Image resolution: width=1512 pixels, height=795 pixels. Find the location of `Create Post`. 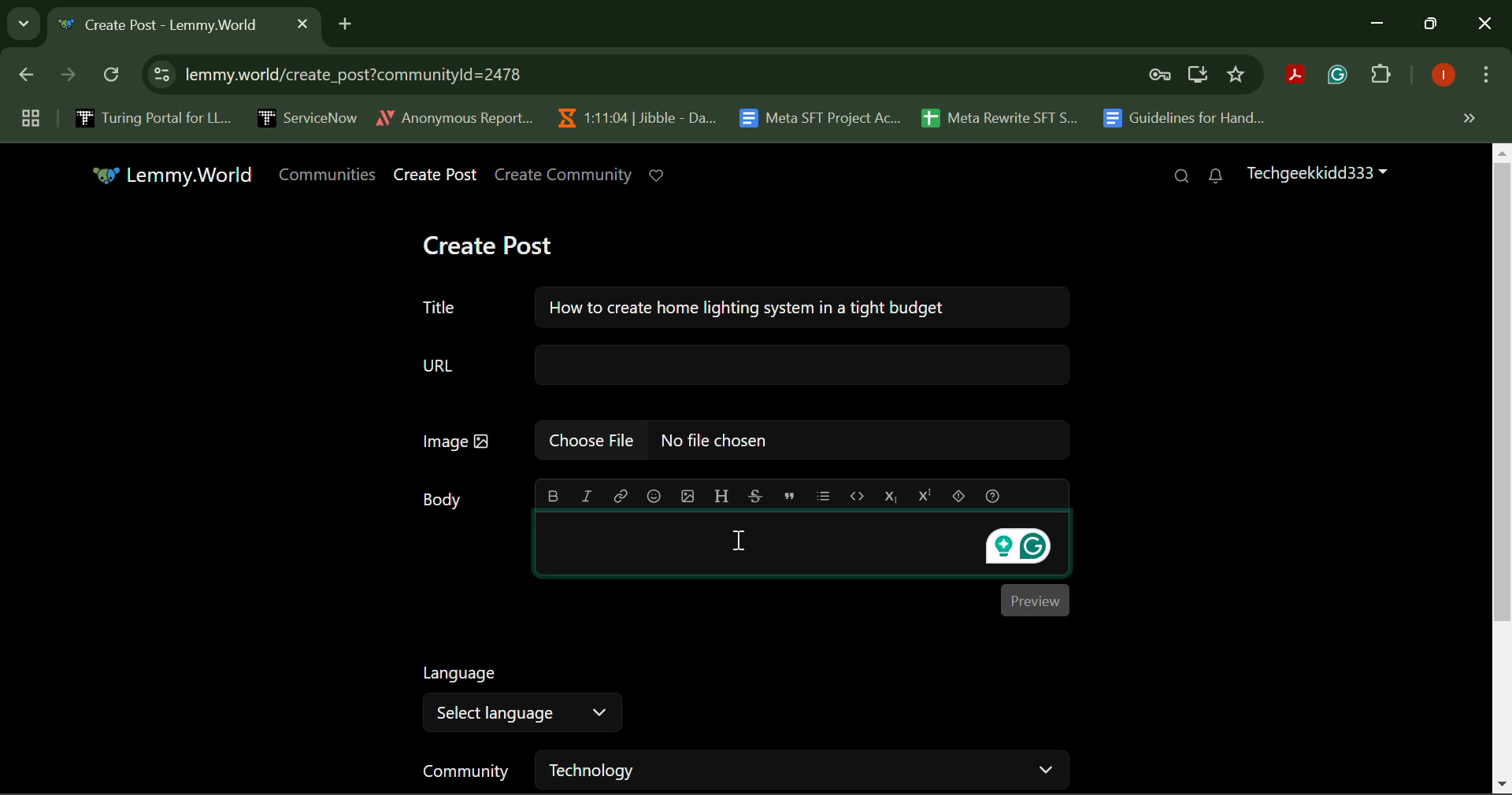

Create Post is located at coordinates (436, 176).